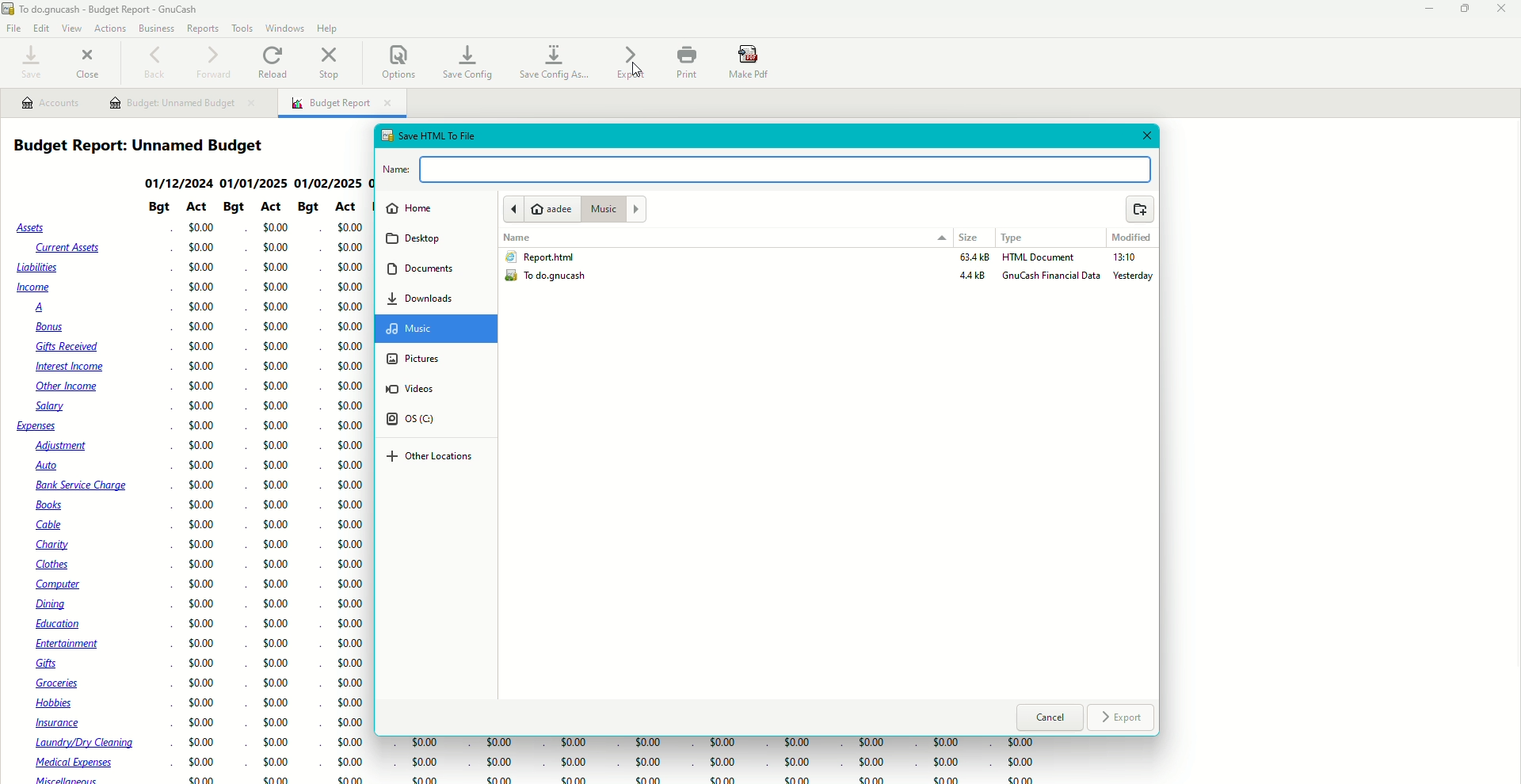  Describe the element at coordinates (42, 29) in the screenshot. I see `Edit` at that location.